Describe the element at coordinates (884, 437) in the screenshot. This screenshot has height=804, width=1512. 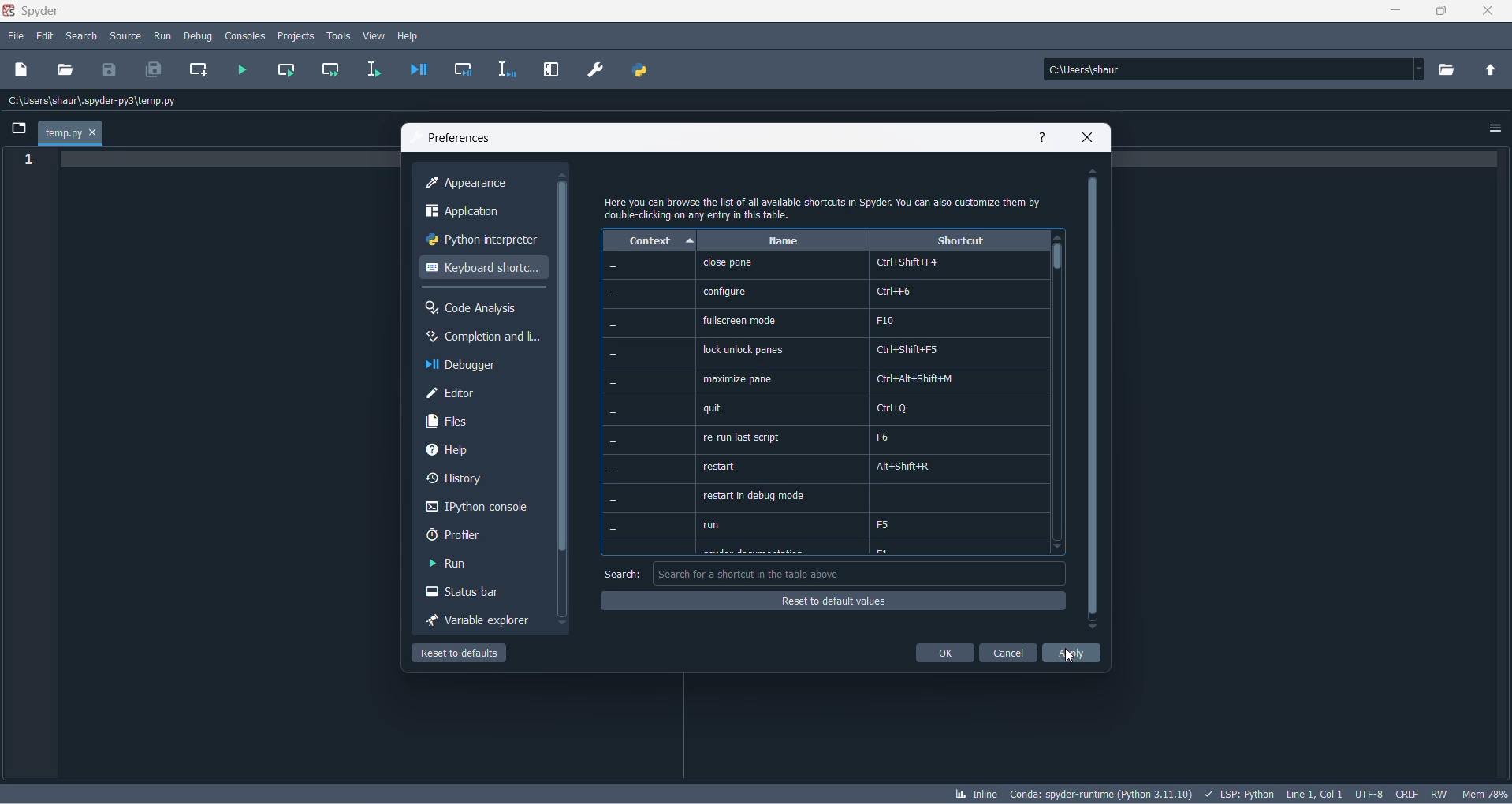
I see `F6` at that location.